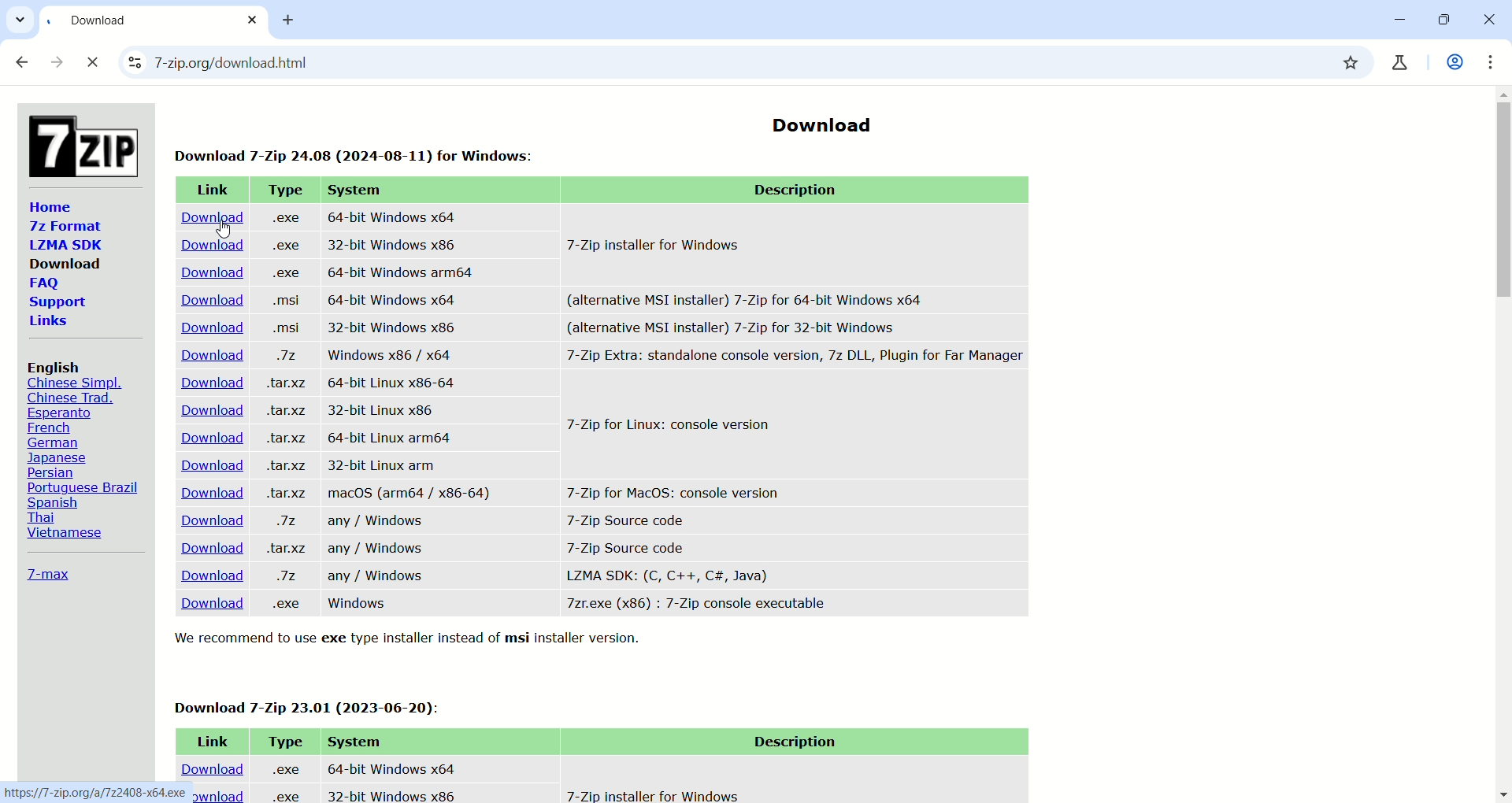  Describe the element at coordinates (57, 303) in the screenshot. I see `Support` at that location.